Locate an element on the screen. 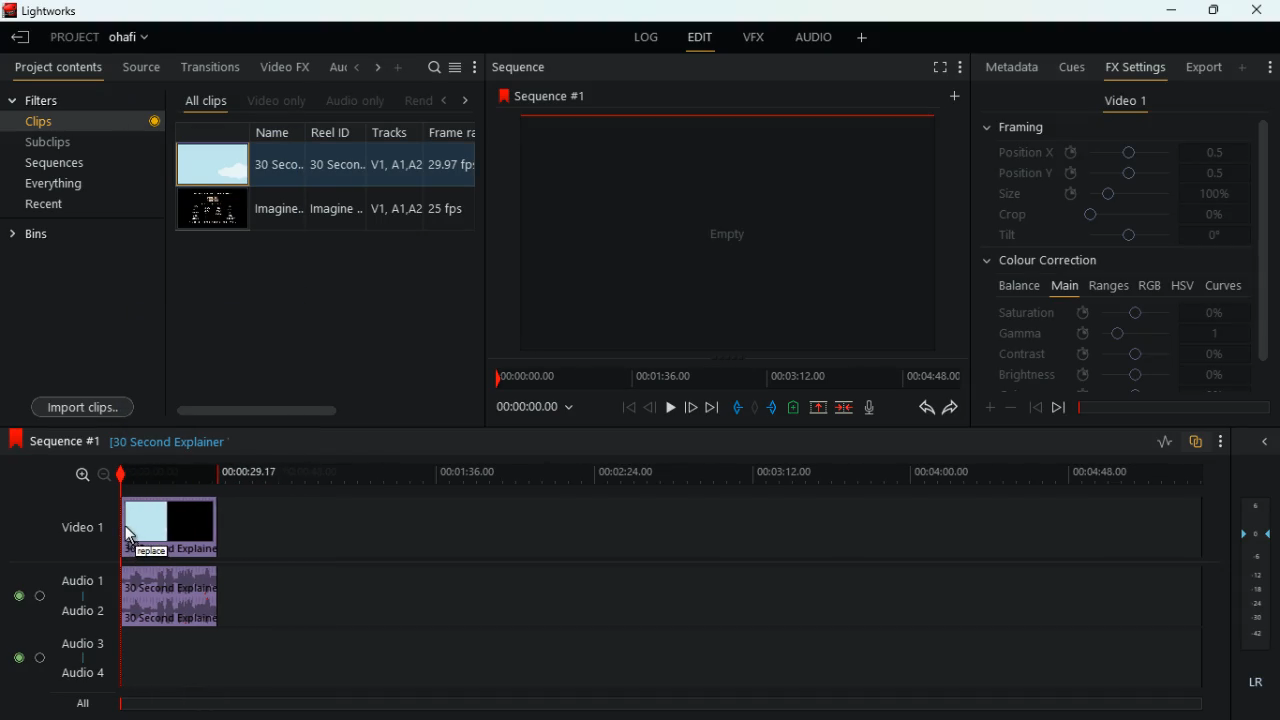  more is located at coordinates (1268, 68).